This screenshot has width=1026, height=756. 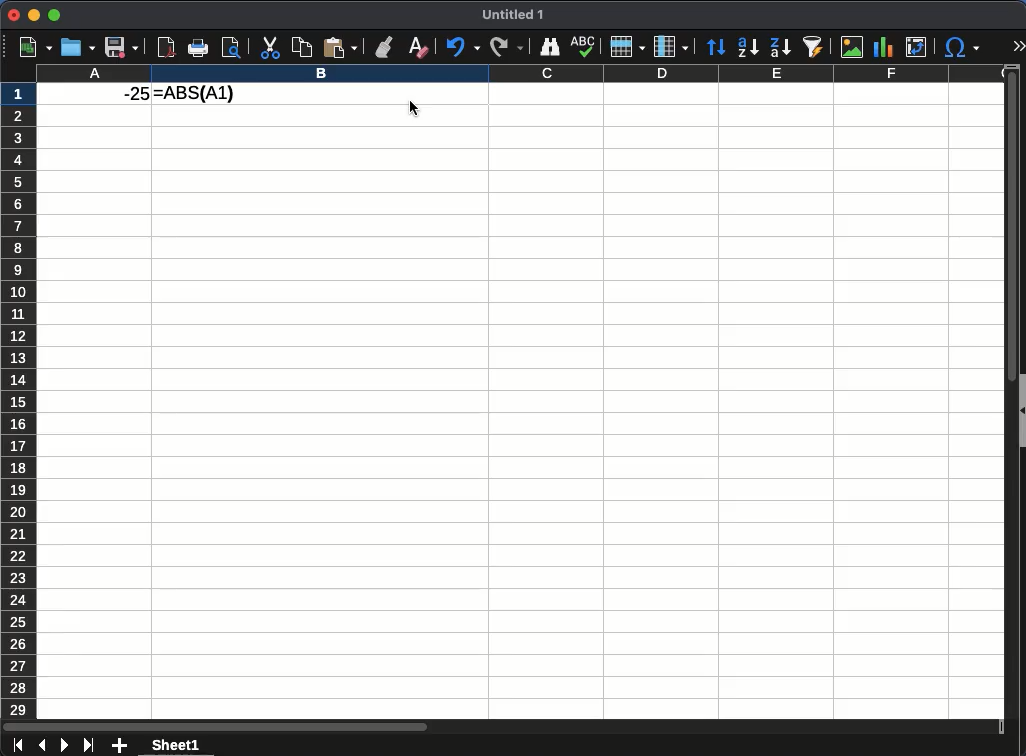 I want to click on -25, so click(x=127, y=94).